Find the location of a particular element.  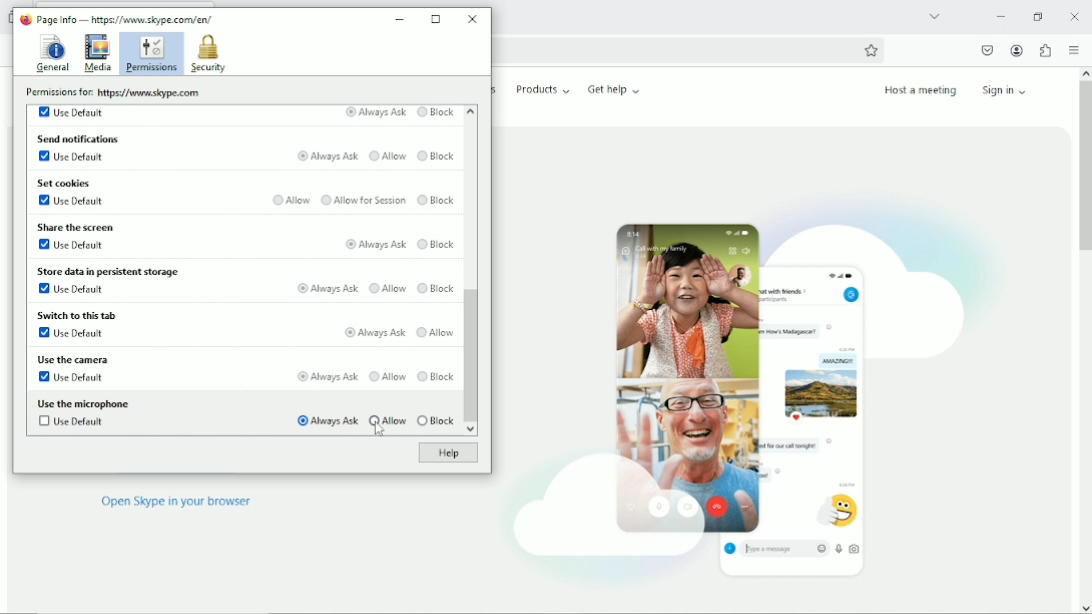

List all tabs is located at coordinates (934, 15).